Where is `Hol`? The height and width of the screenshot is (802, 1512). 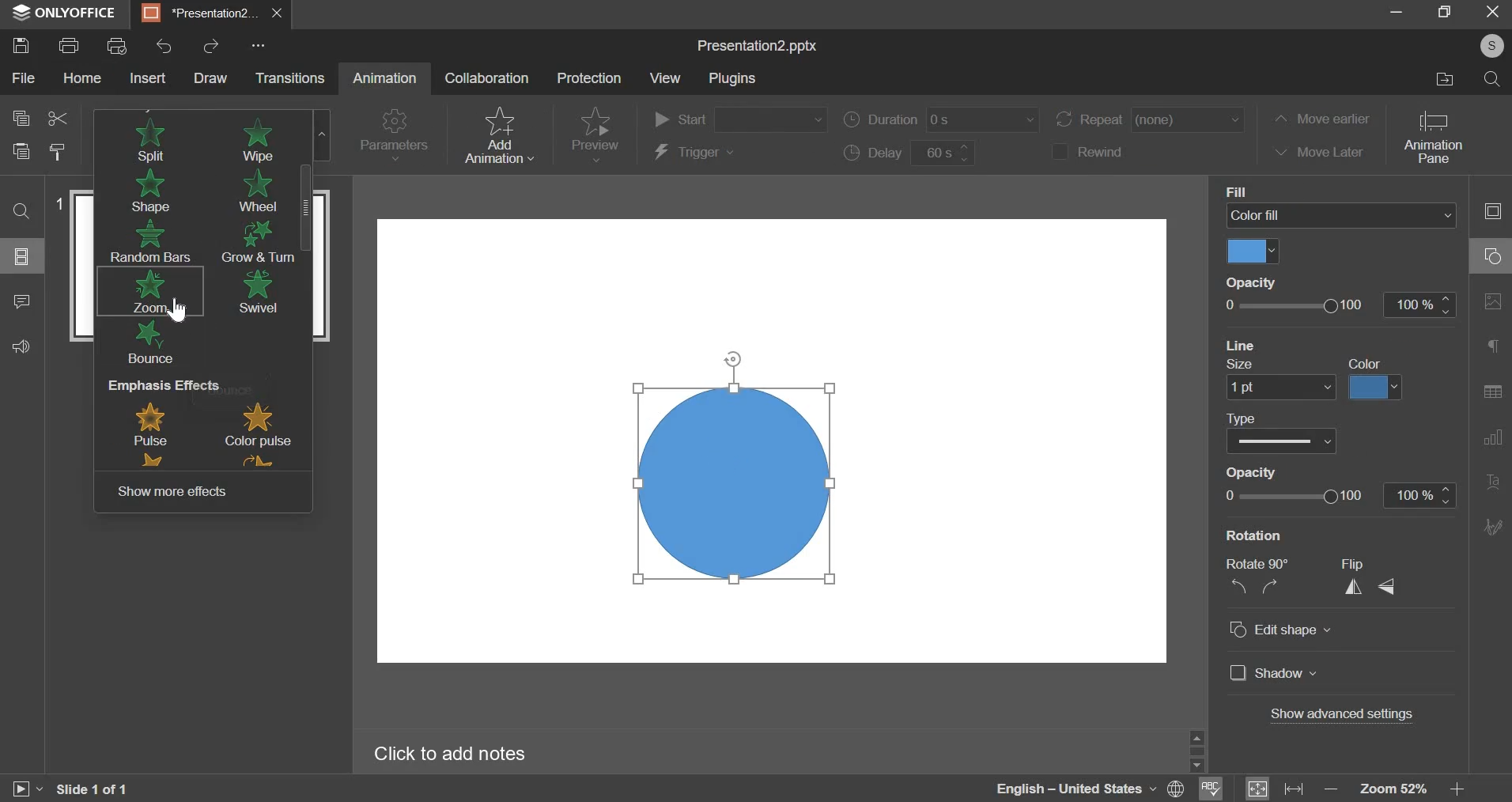 Hol is located at coordinates (83, 81).